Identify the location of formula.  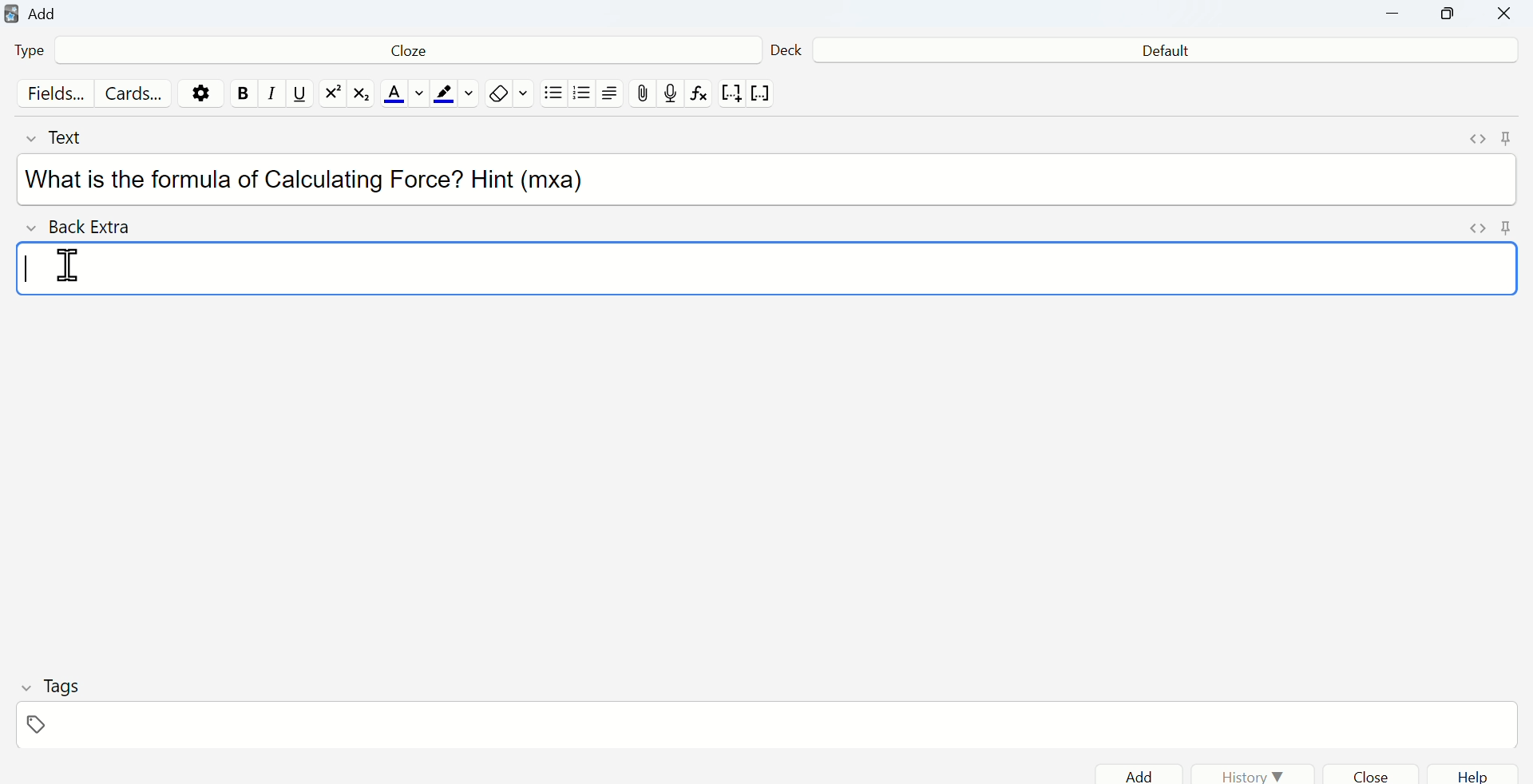
(701, 97).